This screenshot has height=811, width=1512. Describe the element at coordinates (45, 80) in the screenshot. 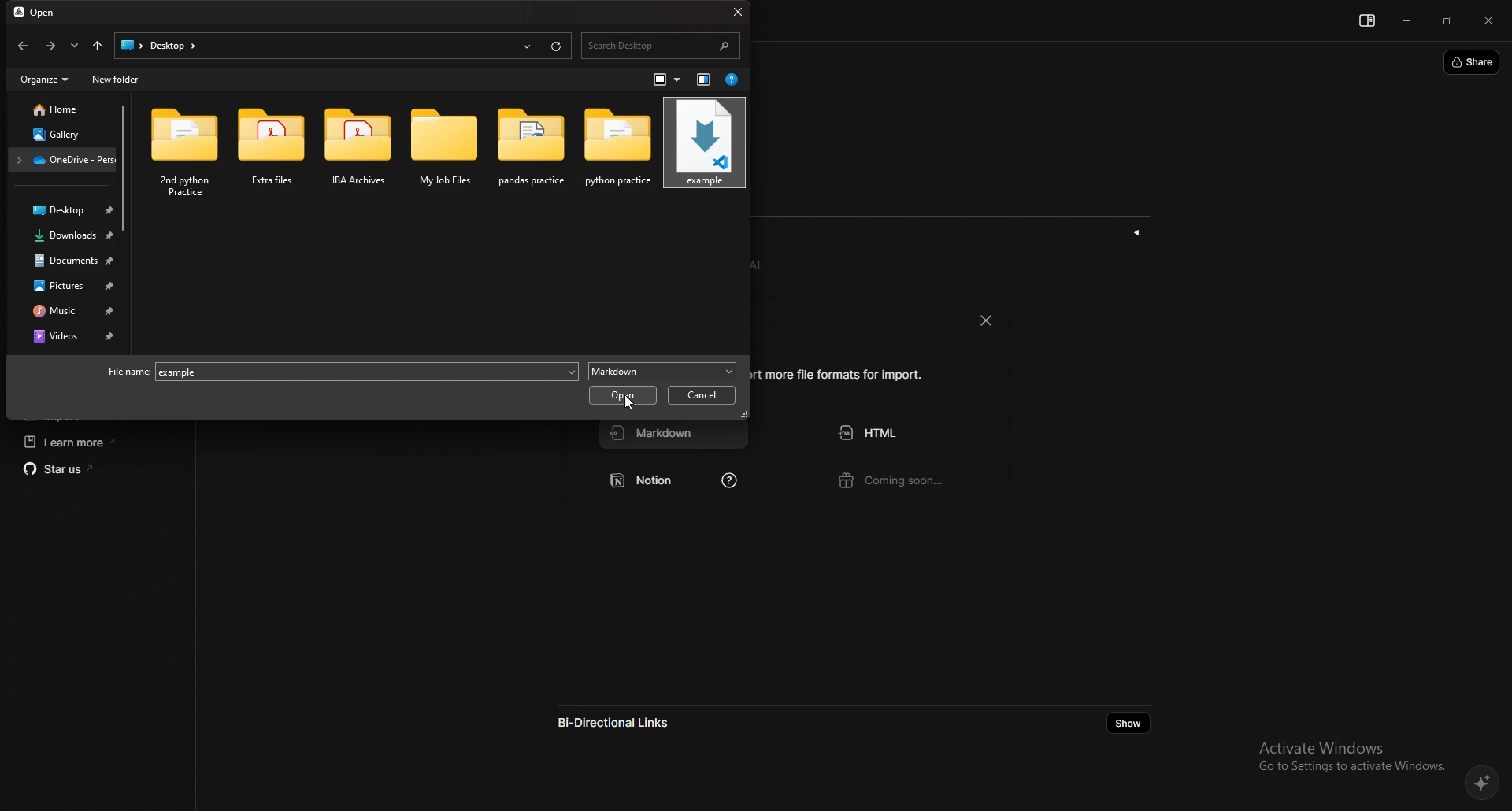

I see `organize` at that location.